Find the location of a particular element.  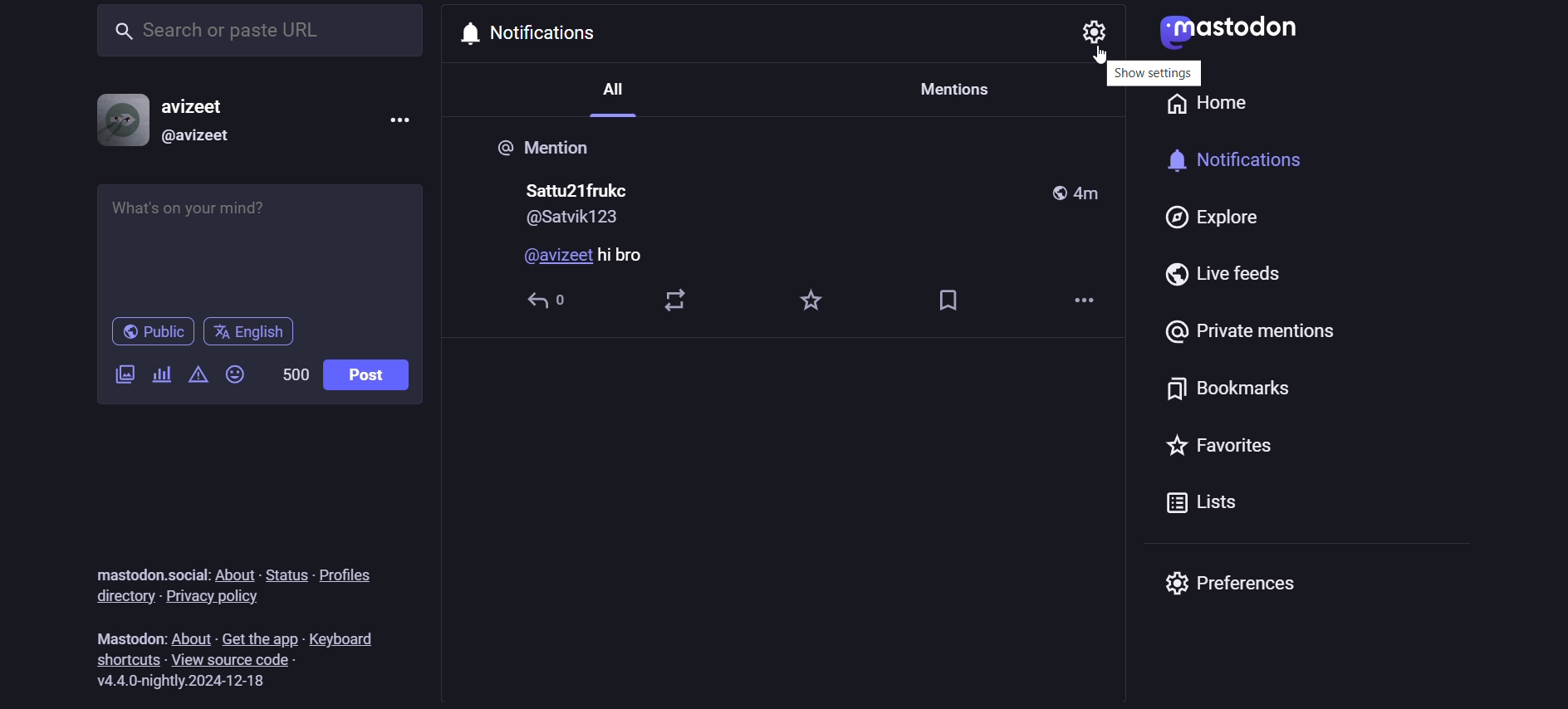

Language: English is located at coordinates (256, 333).